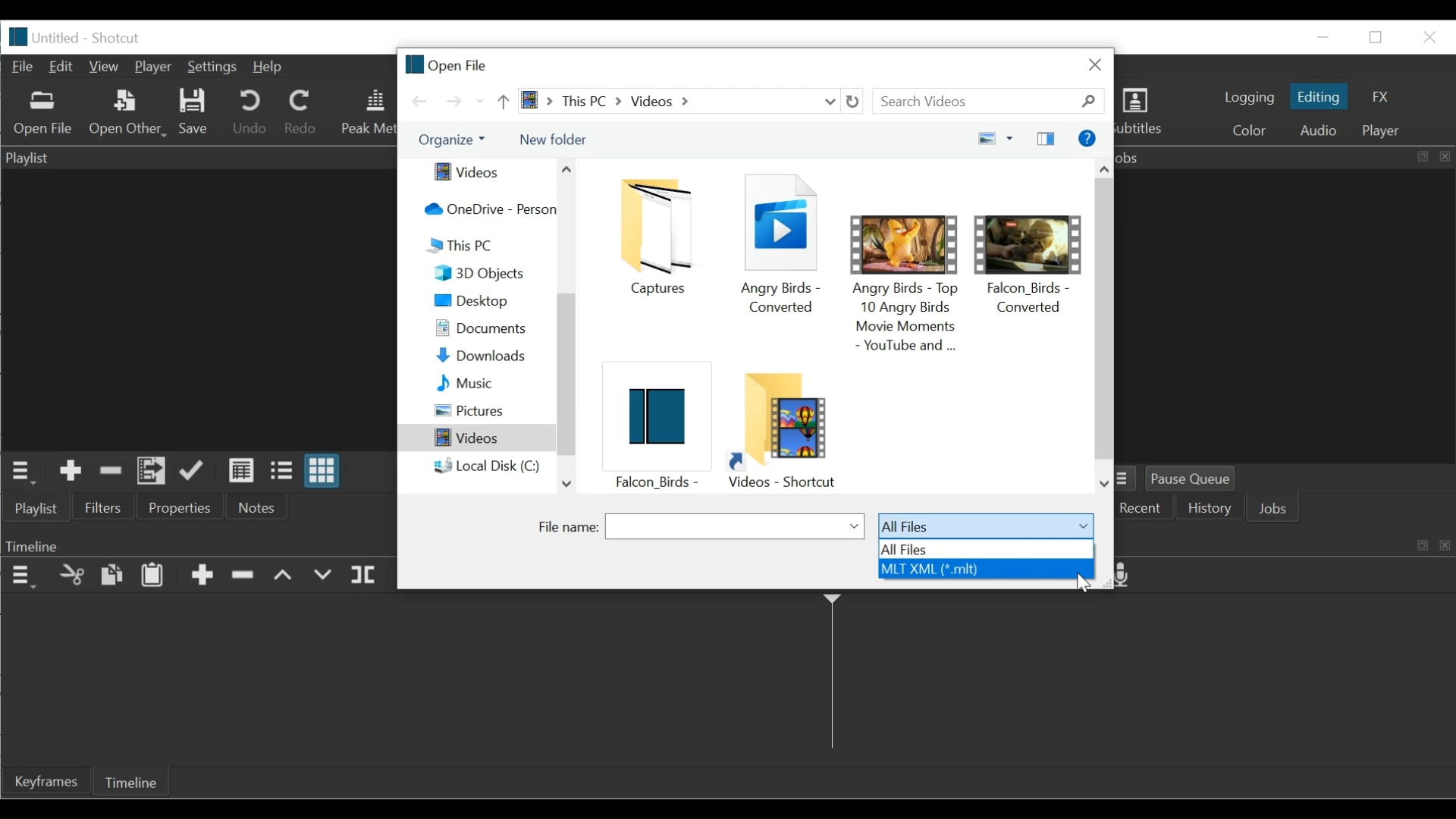  Describe the element at coordinates (1084, 587) in the screenshot. I see `Cursor` at that location.